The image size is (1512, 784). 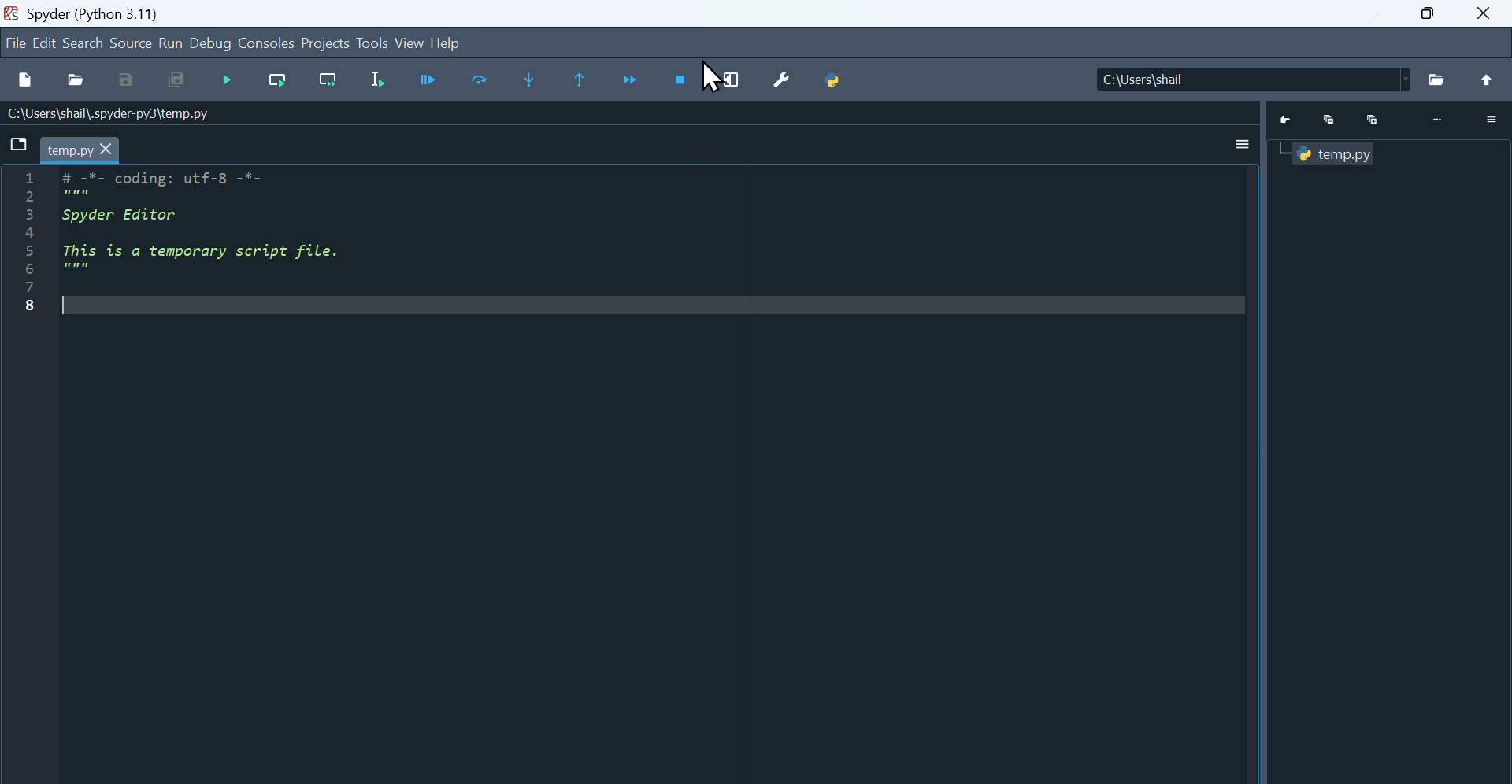 I want to click on temp.py , so click(x=79, y=151).